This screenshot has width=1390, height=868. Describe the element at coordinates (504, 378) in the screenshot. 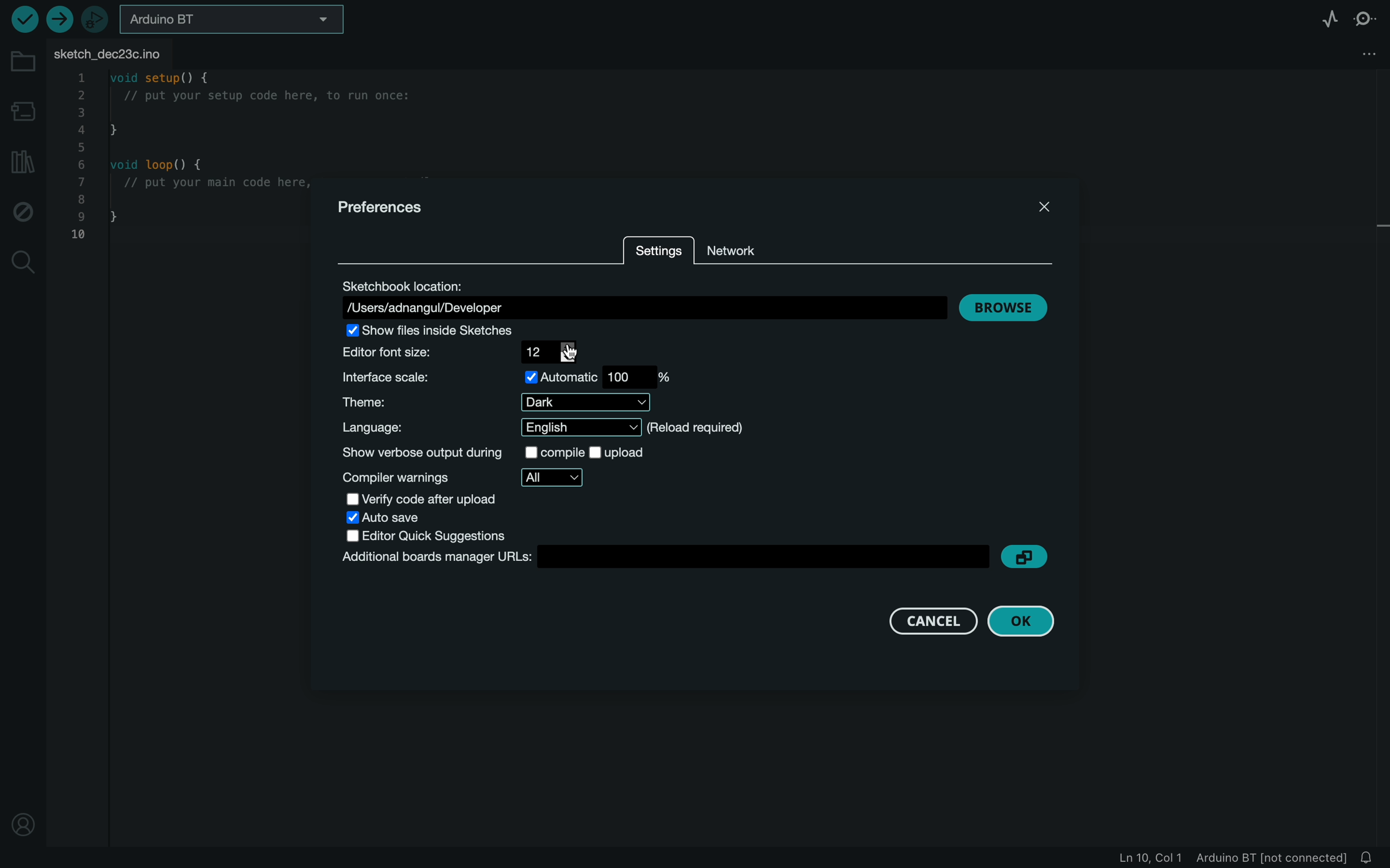

I see `scale` at that location.